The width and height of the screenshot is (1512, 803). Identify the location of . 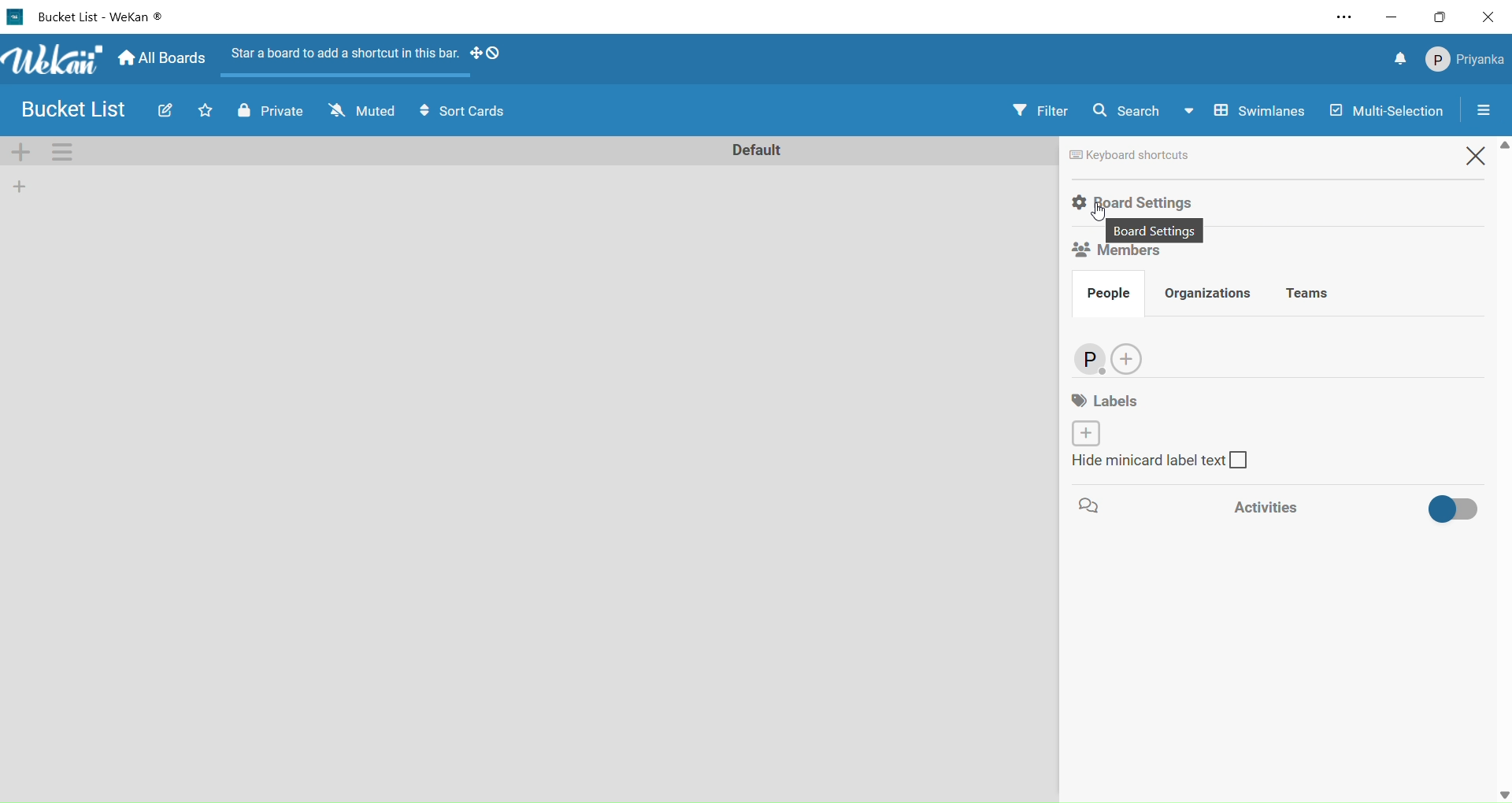
(1212, 294).